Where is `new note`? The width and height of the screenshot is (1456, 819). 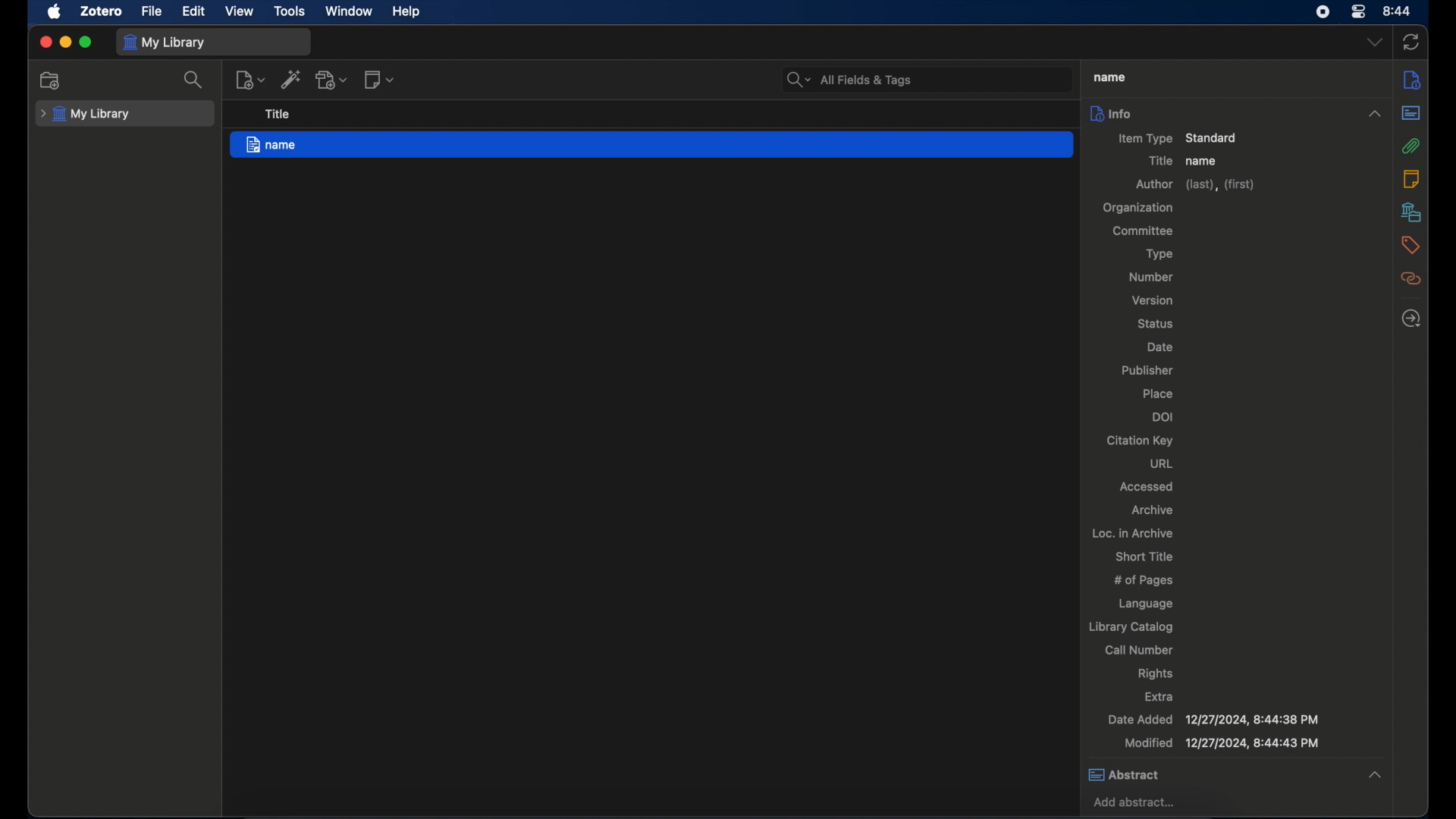
new note is located at coordinates (381, 80).